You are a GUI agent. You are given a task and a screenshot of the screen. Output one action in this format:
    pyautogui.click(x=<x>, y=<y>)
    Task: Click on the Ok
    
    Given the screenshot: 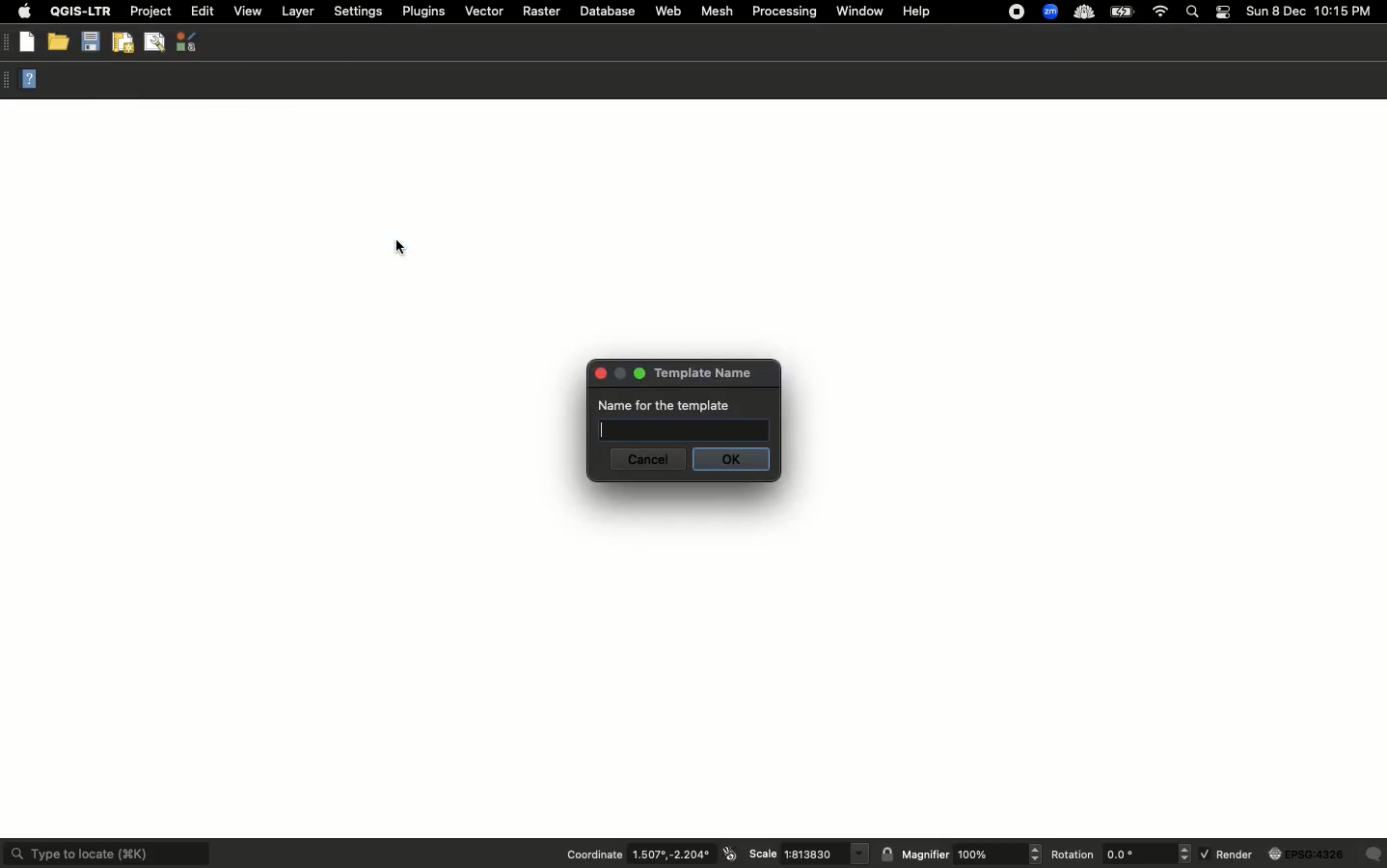 What is the action you would take?
    pyautogui.click(x=732, y=462)
    